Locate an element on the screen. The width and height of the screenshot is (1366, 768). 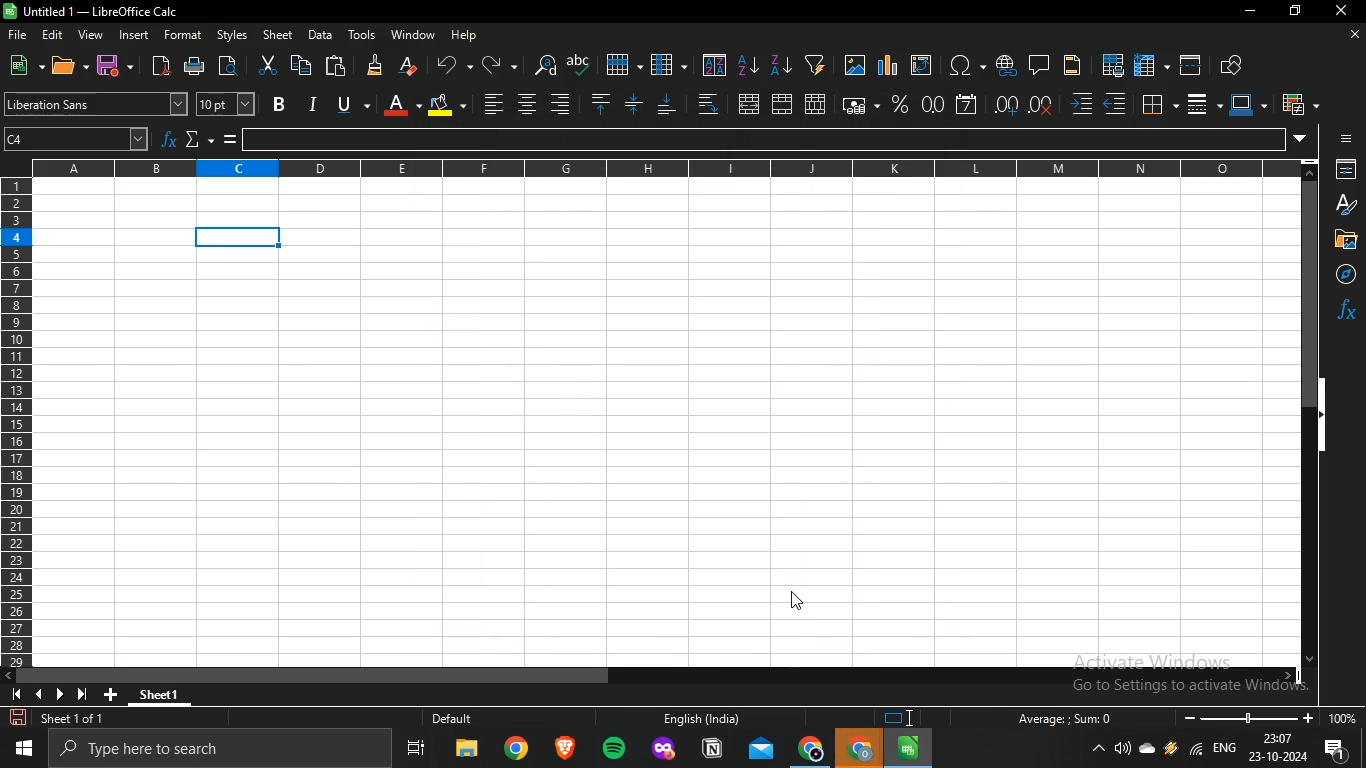
new sheet is located at coordinates (115, 692).